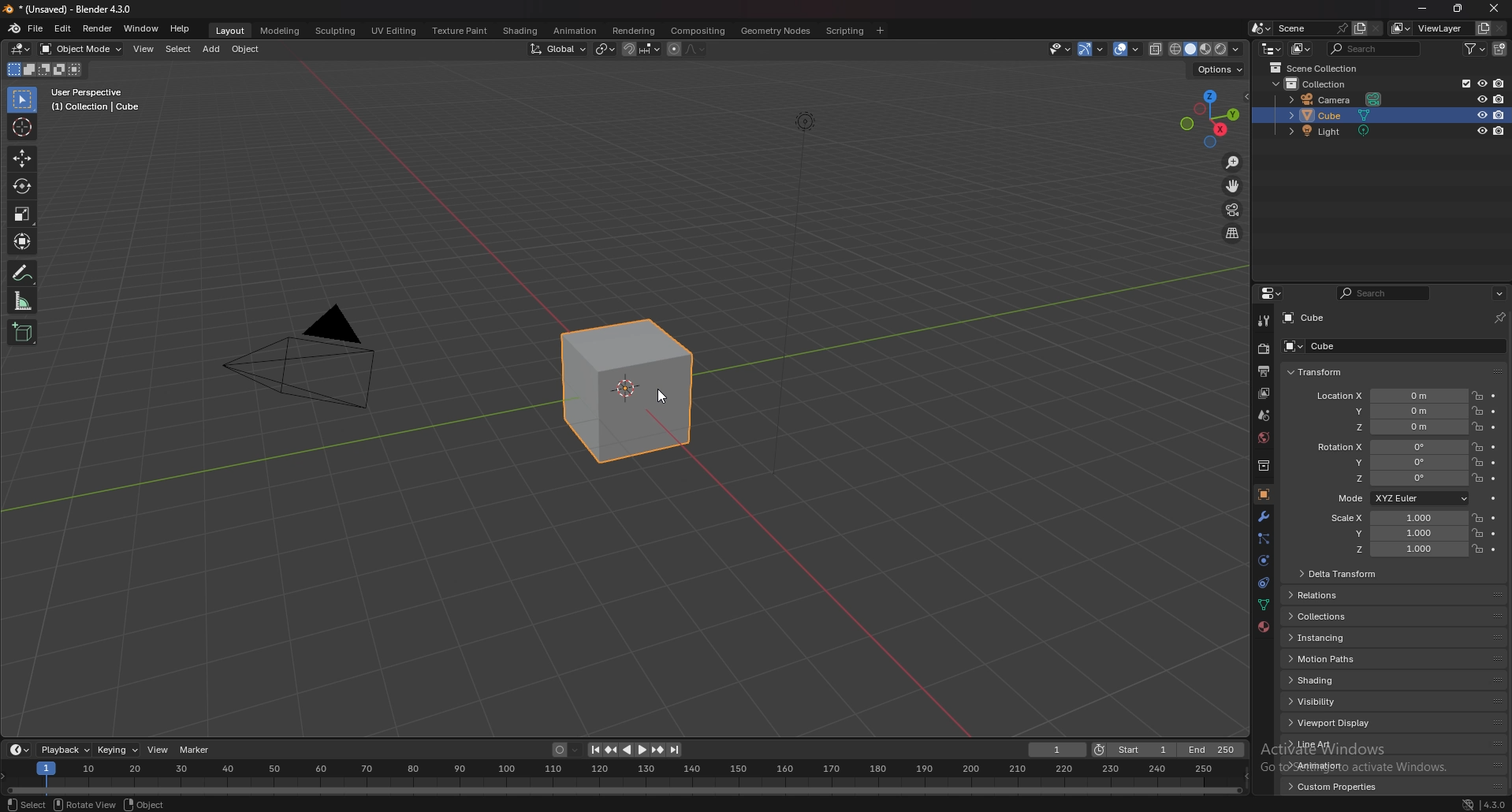  I want to click on select, so click(178, 50).